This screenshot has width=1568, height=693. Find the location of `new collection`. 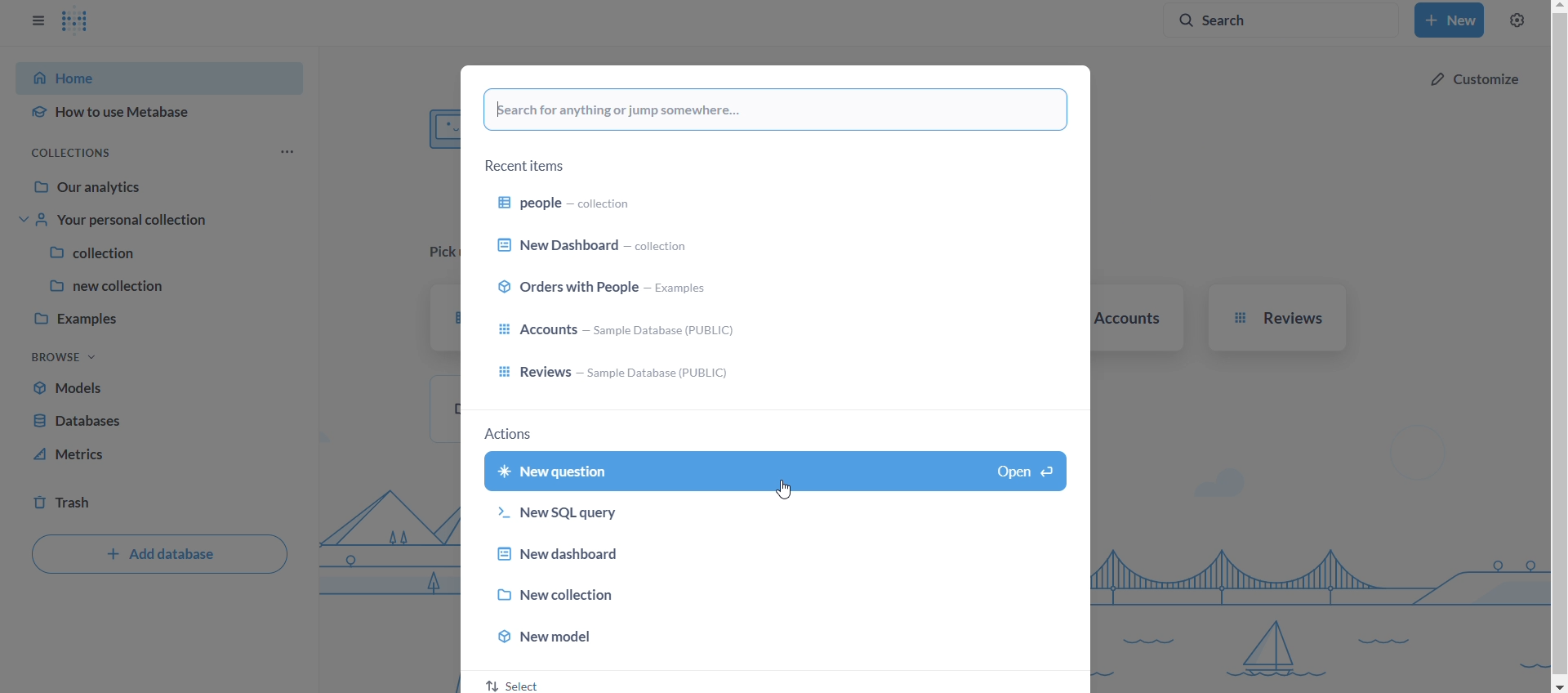

new collection is located at coordinates (770, 597).